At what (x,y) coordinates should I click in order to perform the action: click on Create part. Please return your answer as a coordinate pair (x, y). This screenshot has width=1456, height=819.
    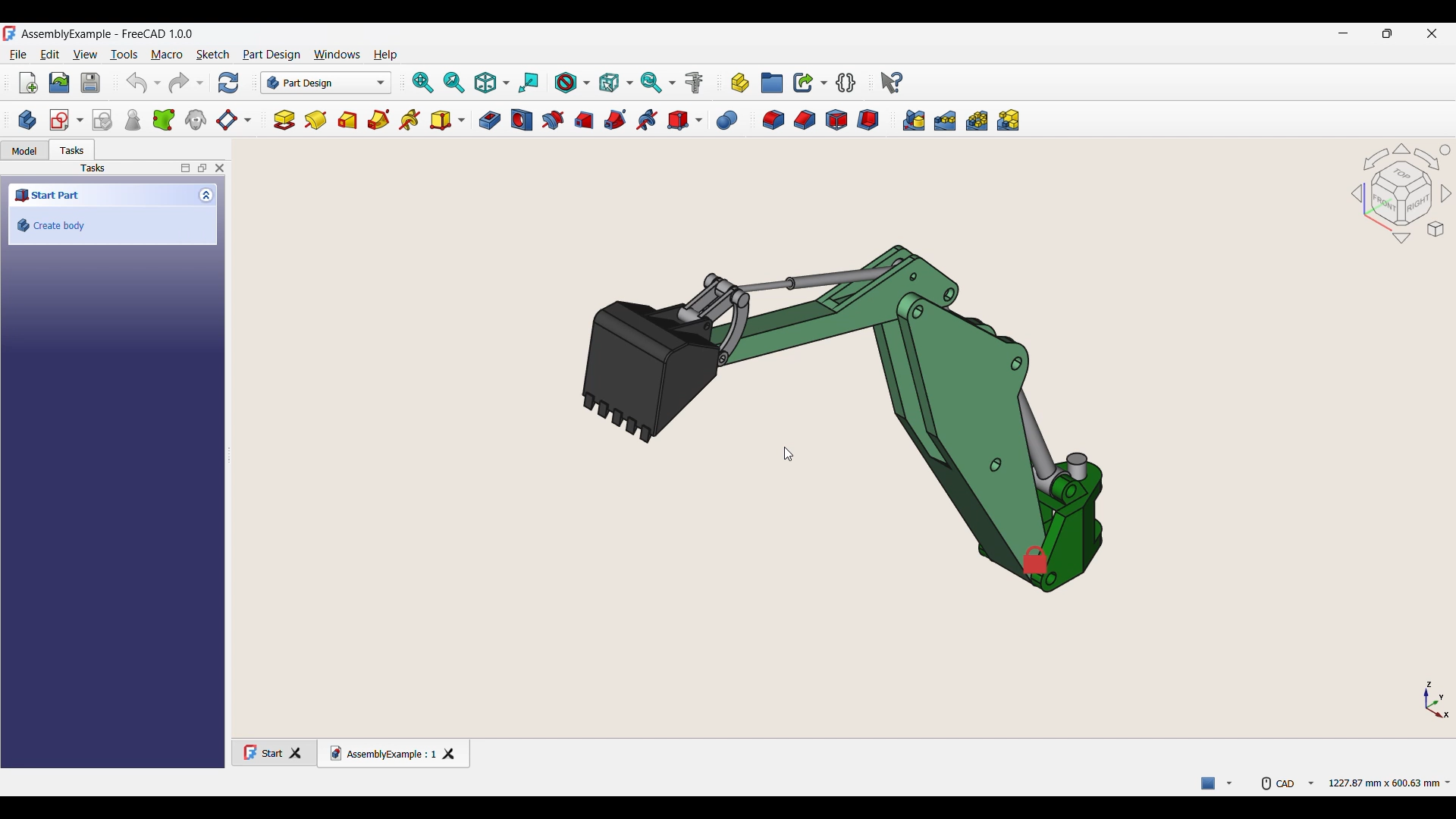
    Looking at the image, I should click on (740, 83).